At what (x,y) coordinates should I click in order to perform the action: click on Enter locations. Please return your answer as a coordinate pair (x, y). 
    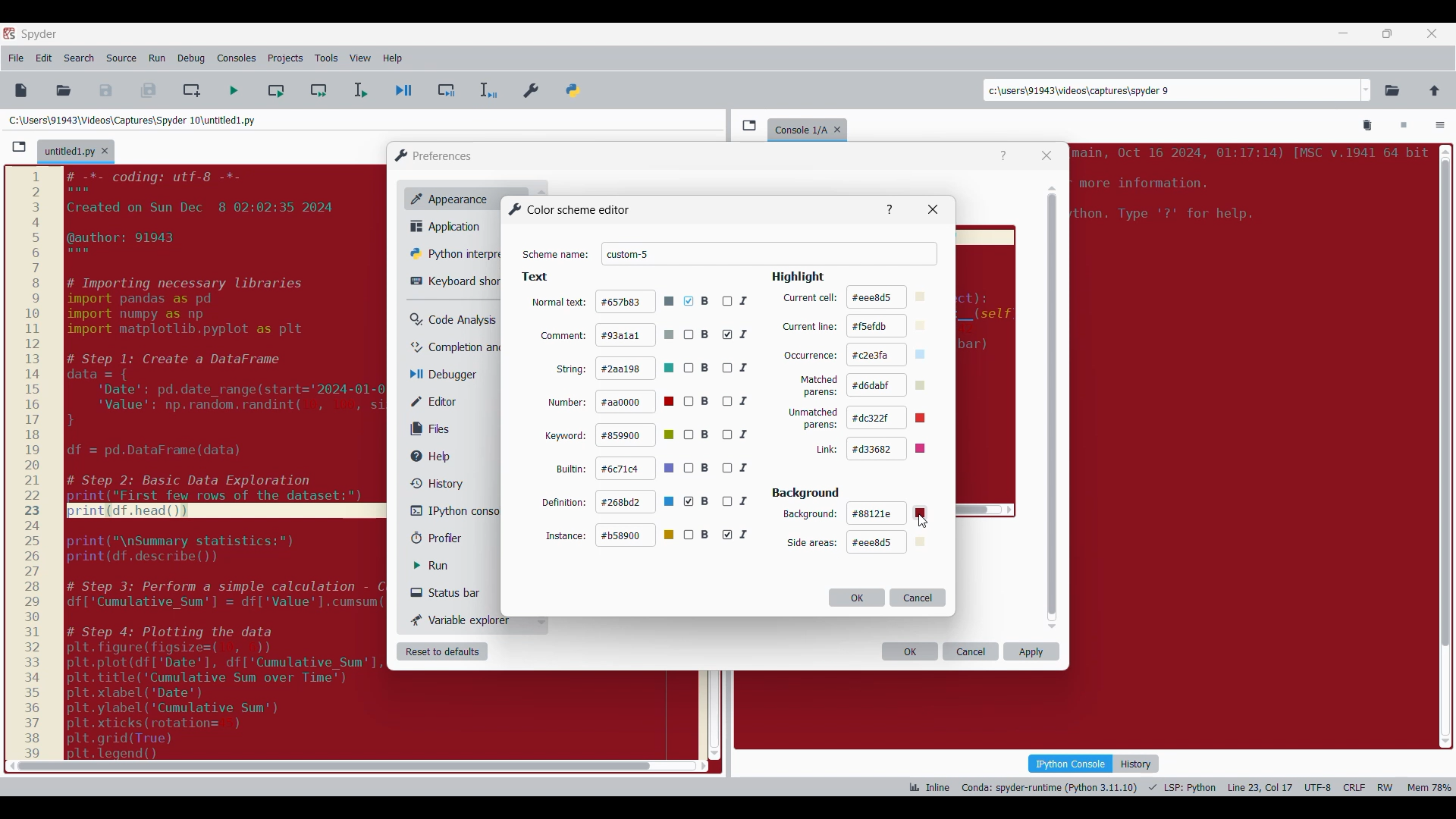
    Looking at the image, I should click on (1171, 90).